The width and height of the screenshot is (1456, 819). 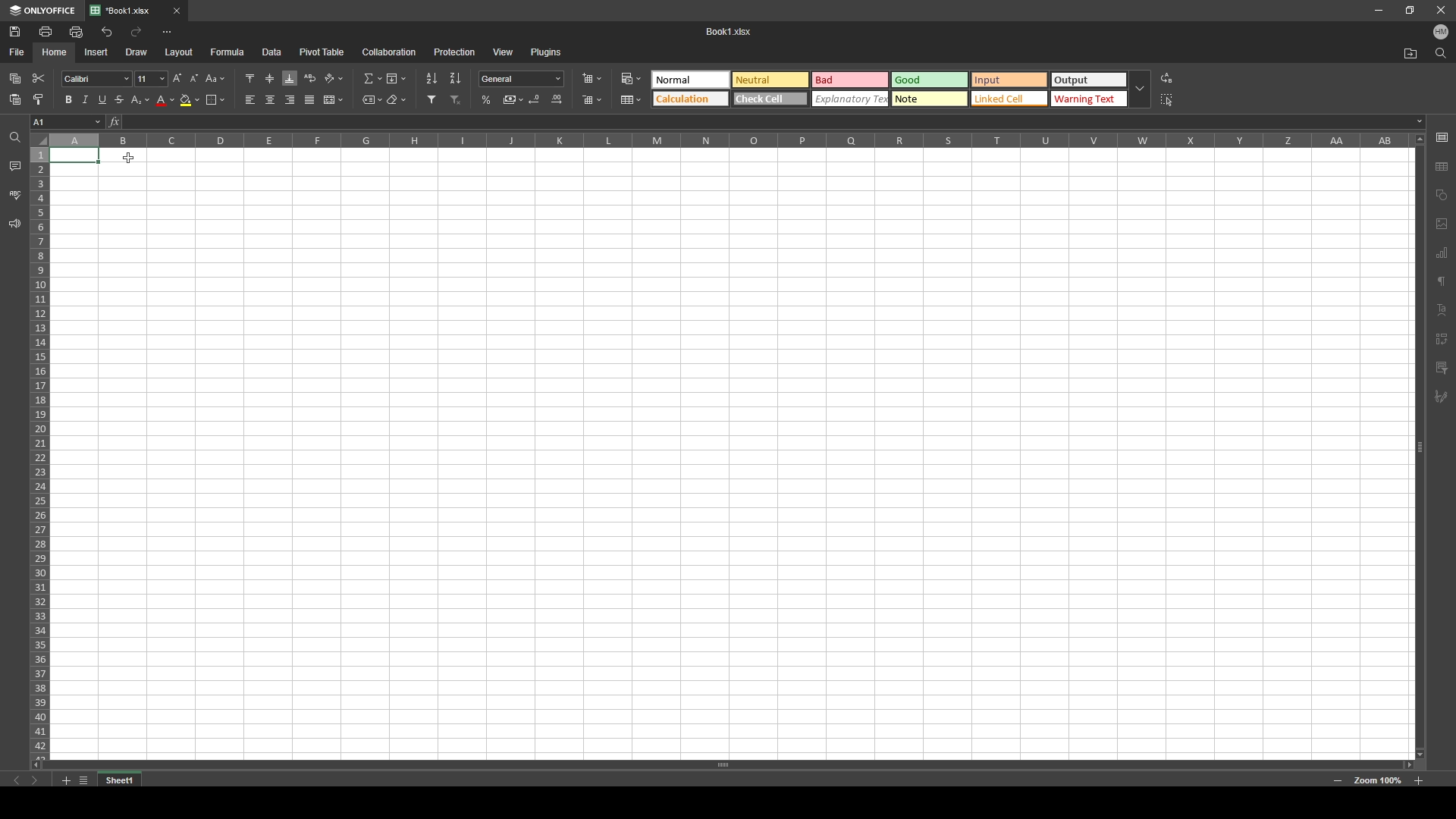 What do you see at coordinates (34, 780) in the screenshot?
I see `next` at bounding box center [34, 780].